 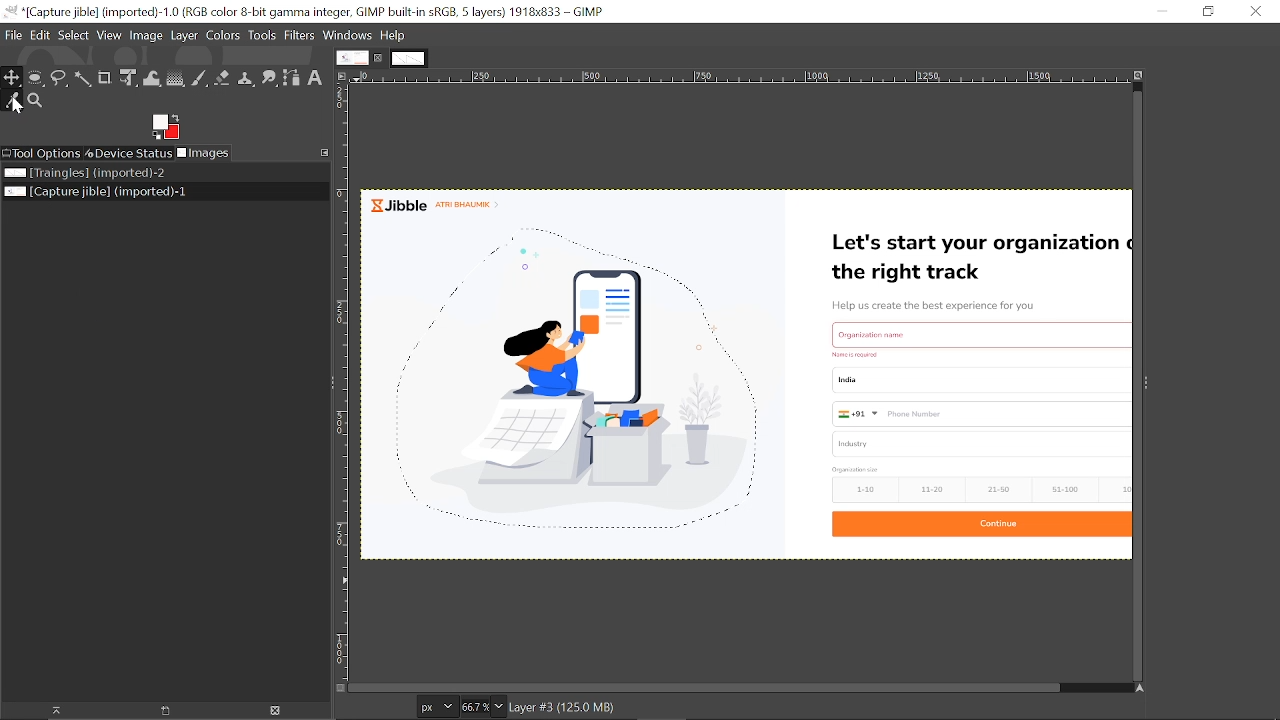 I want to click on Horizontal scrollbar, so click(x=706, y=687).